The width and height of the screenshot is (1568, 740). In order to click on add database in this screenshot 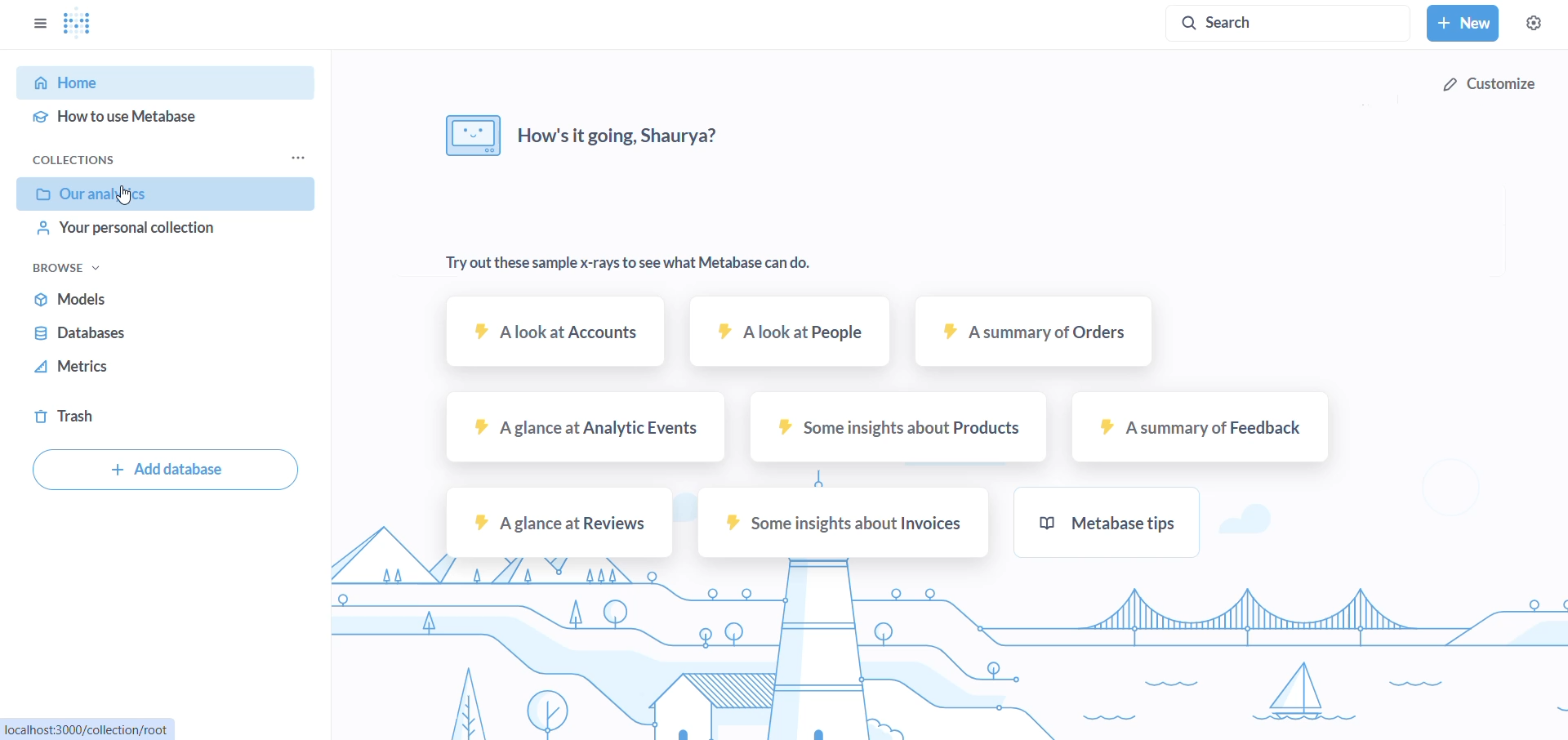, I will do `click(164, 470)`.